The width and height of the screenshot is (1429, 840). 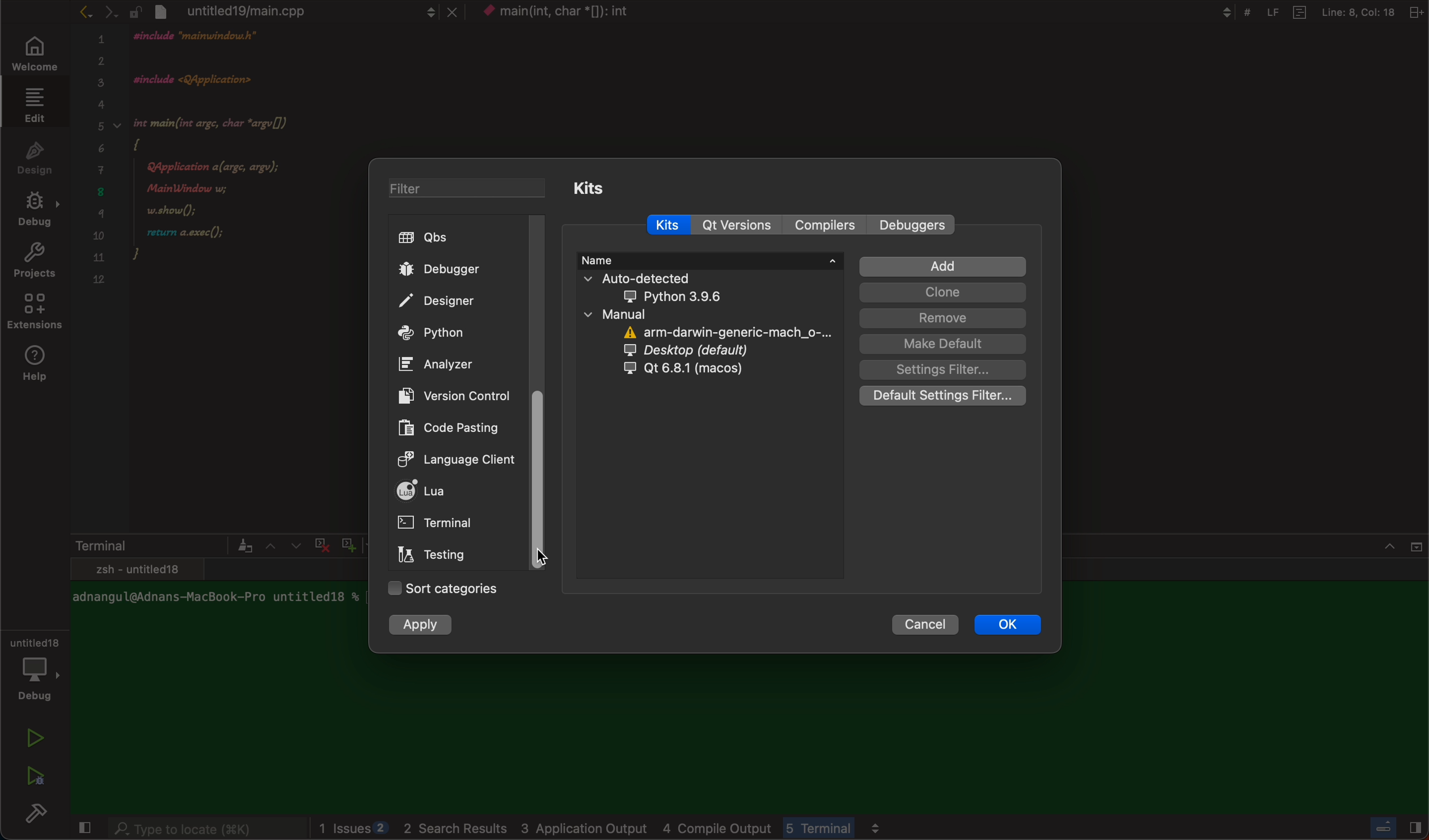 I want to click on Scroller , so click(x=548, y=482).